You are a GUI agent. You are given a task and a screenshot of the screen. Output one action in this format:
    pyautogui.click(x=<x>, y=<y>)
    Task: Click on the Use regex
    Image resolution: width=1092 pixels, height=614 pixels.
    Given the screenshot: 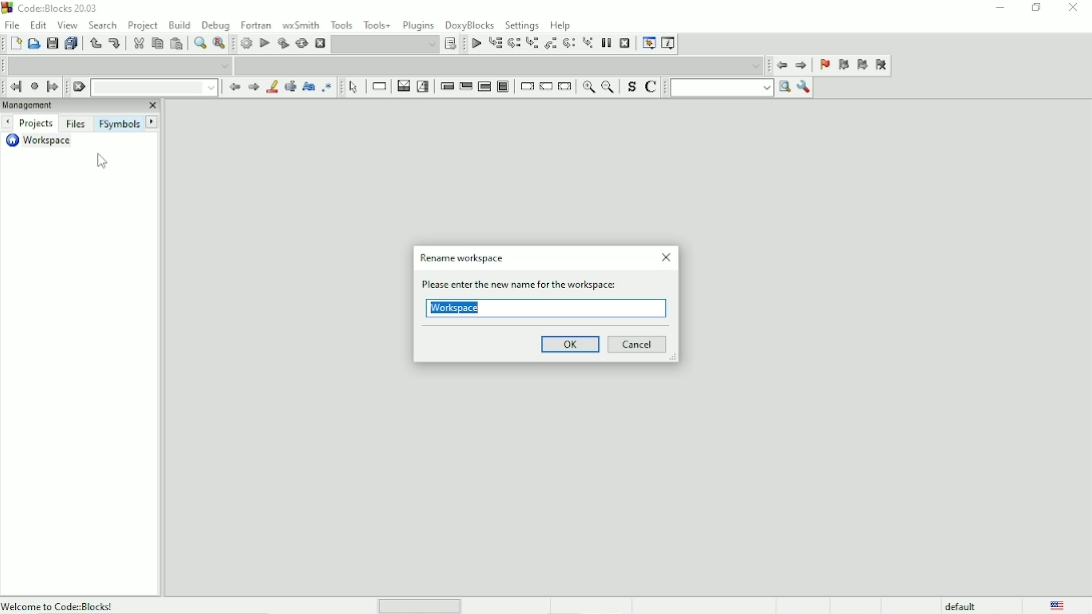 What is the action you would take?
    pyautogui.click(x=326, y=87)
    